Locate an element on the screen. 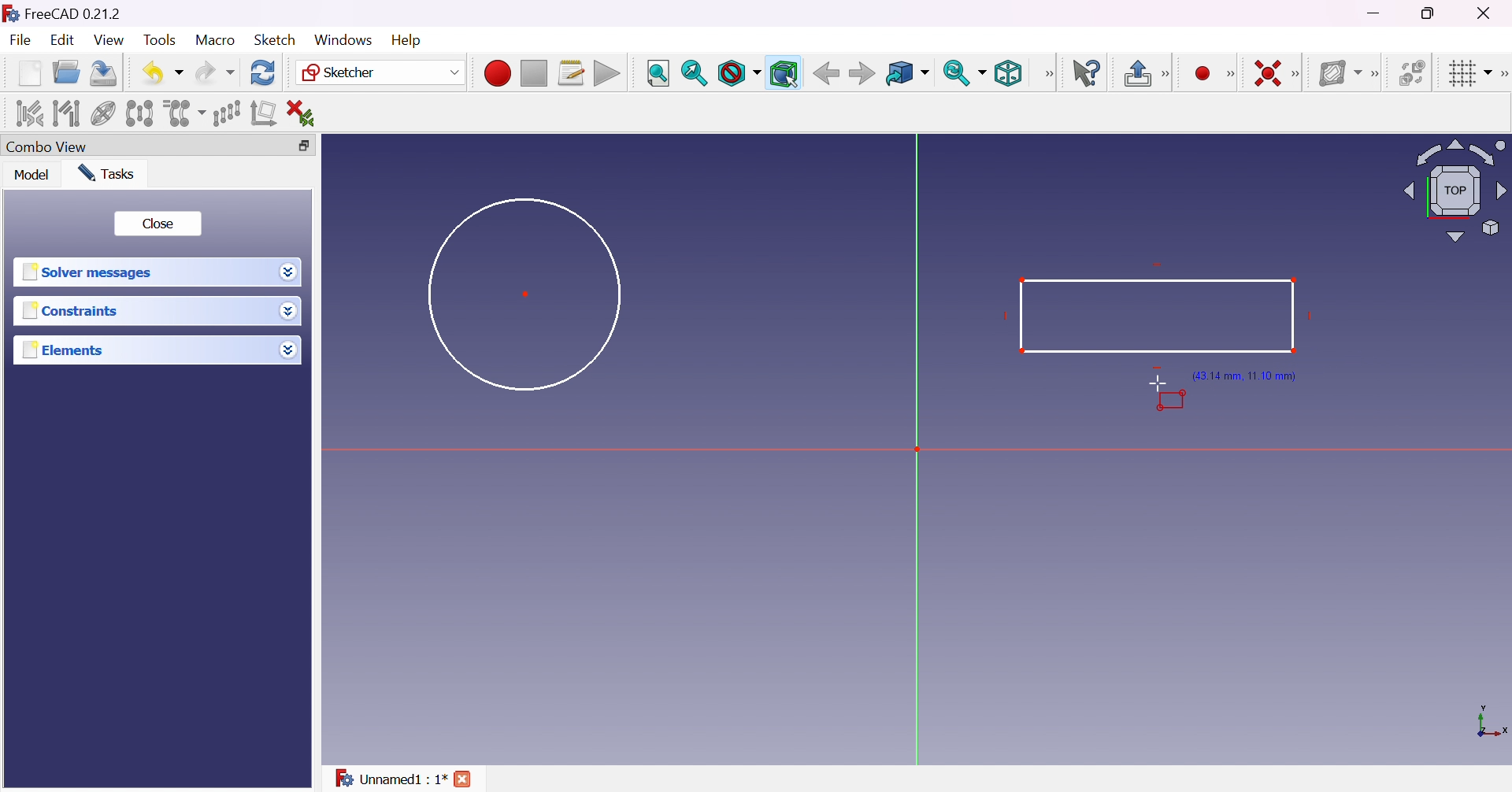 The height and width of the screenshot is (792, 1512). Combo view is located at coordinates (46, 148).